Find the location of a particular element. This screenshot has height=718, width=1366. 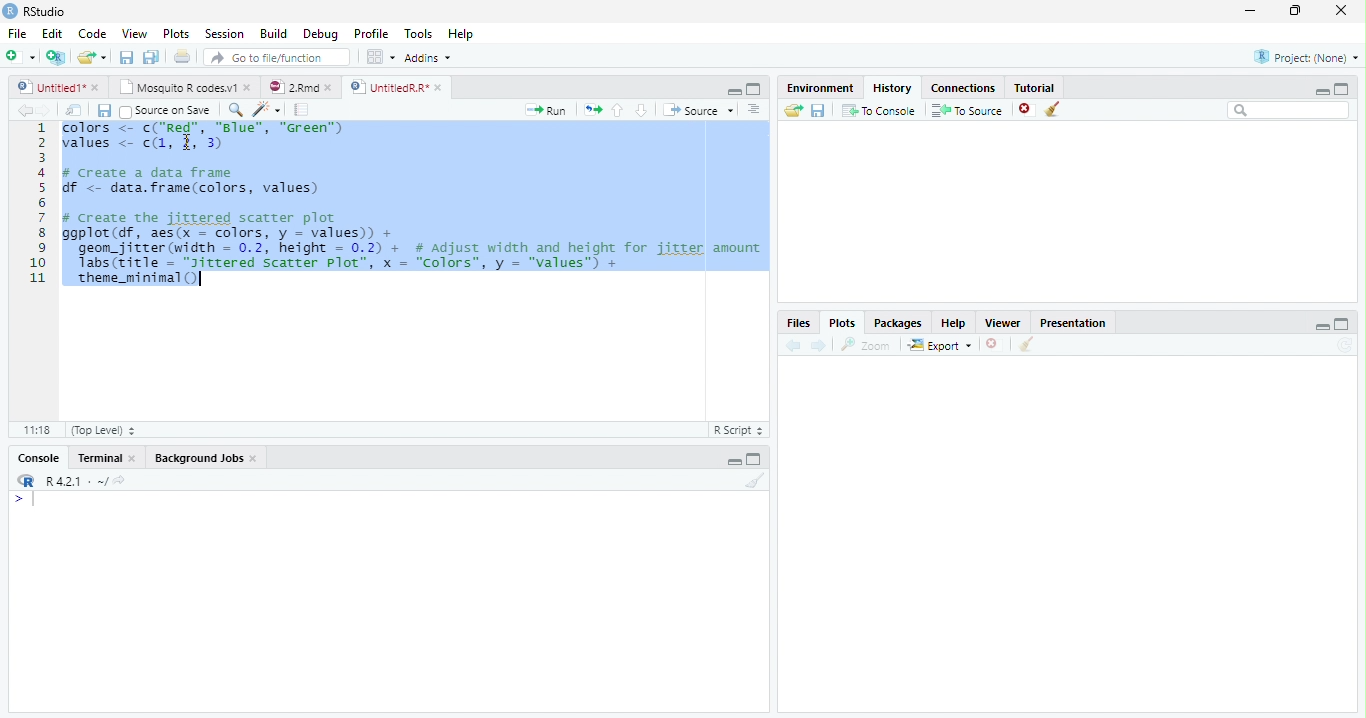

Source on Save is located at coordinates (167, 111).